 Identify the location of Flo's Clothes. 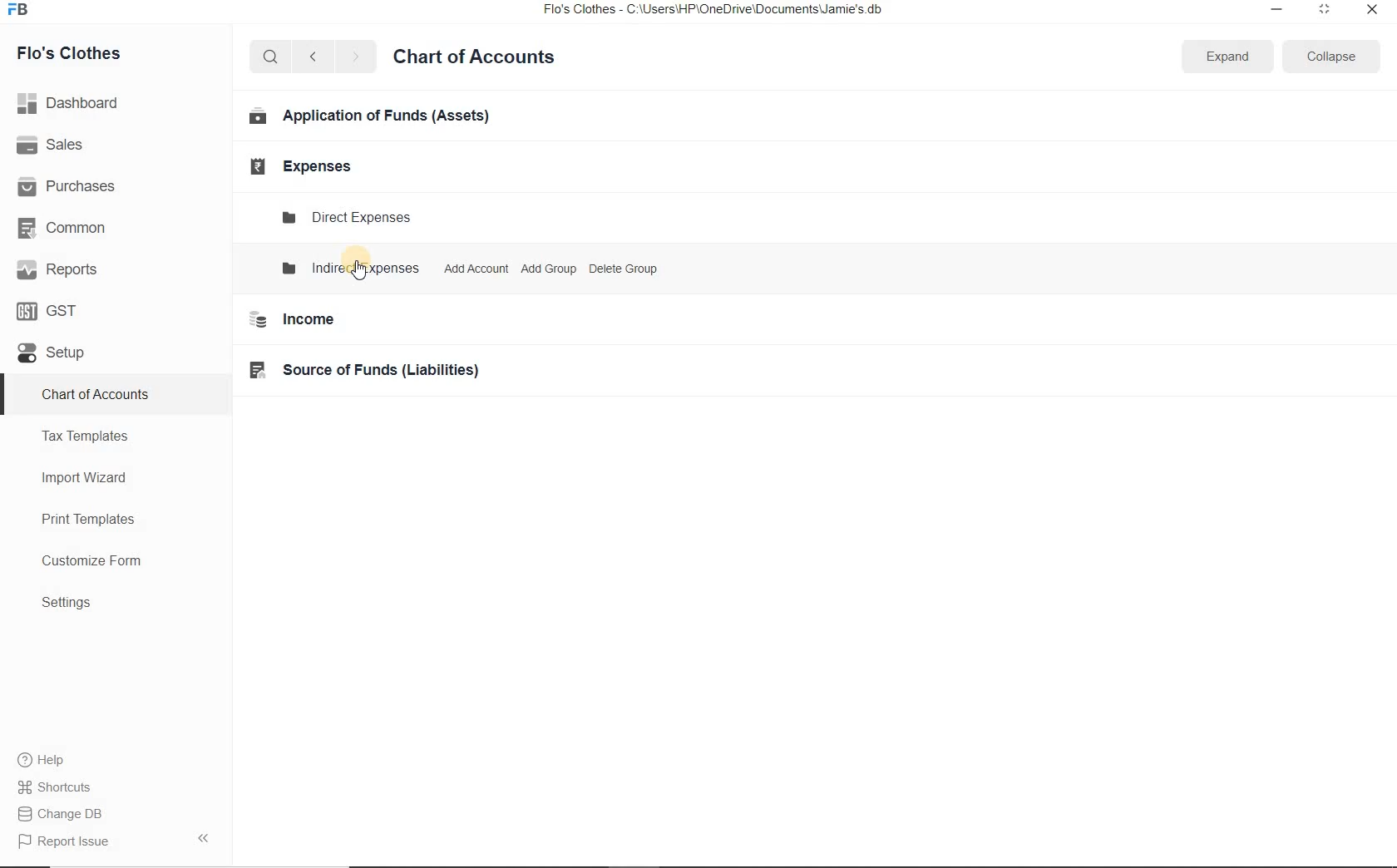
(71, 53).